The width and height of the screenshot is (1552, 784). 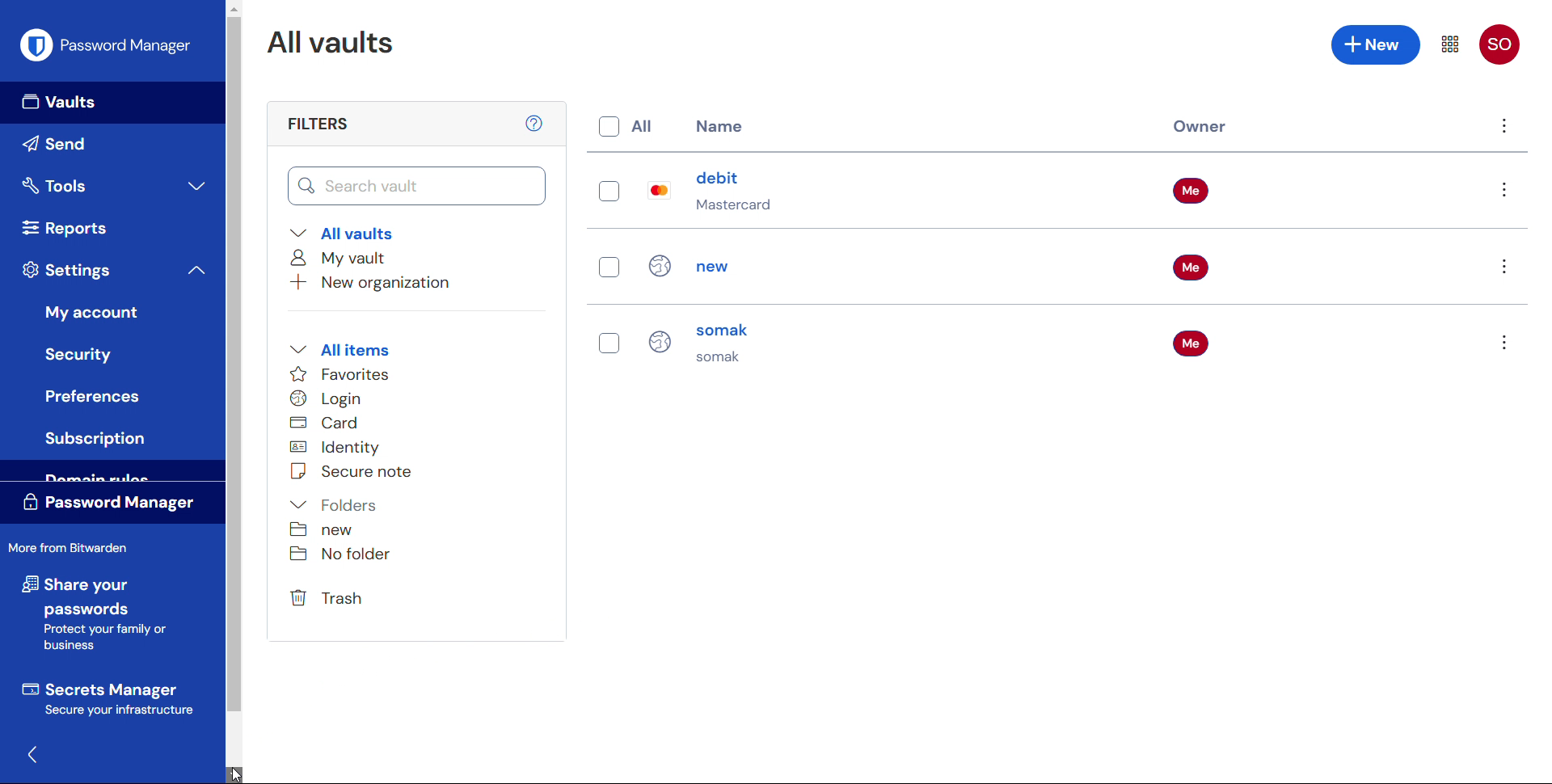 I want to click on My account , so click(x=95, y=312).